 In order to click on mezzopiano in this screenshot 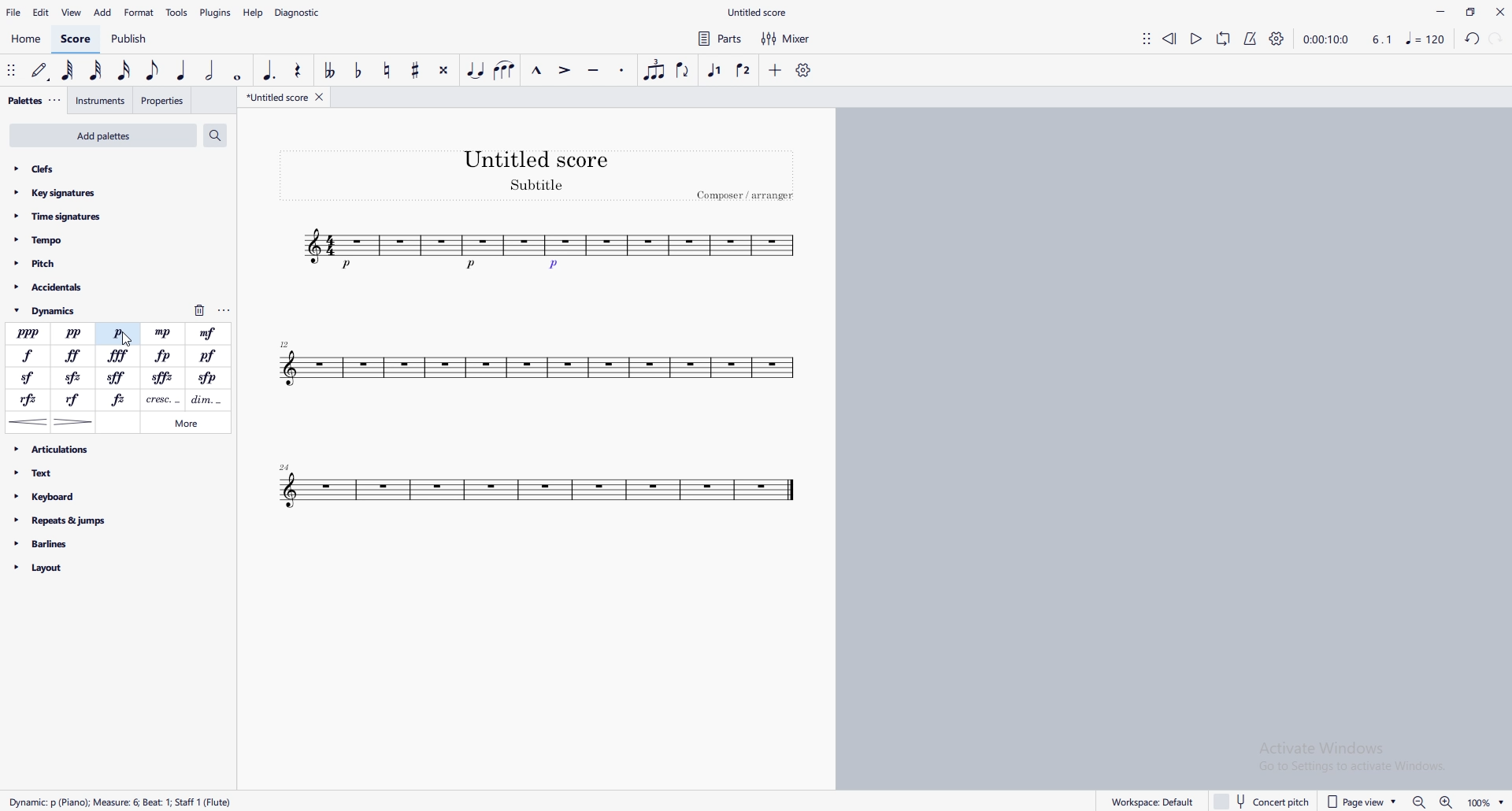, I will do `click(165, 333)`.